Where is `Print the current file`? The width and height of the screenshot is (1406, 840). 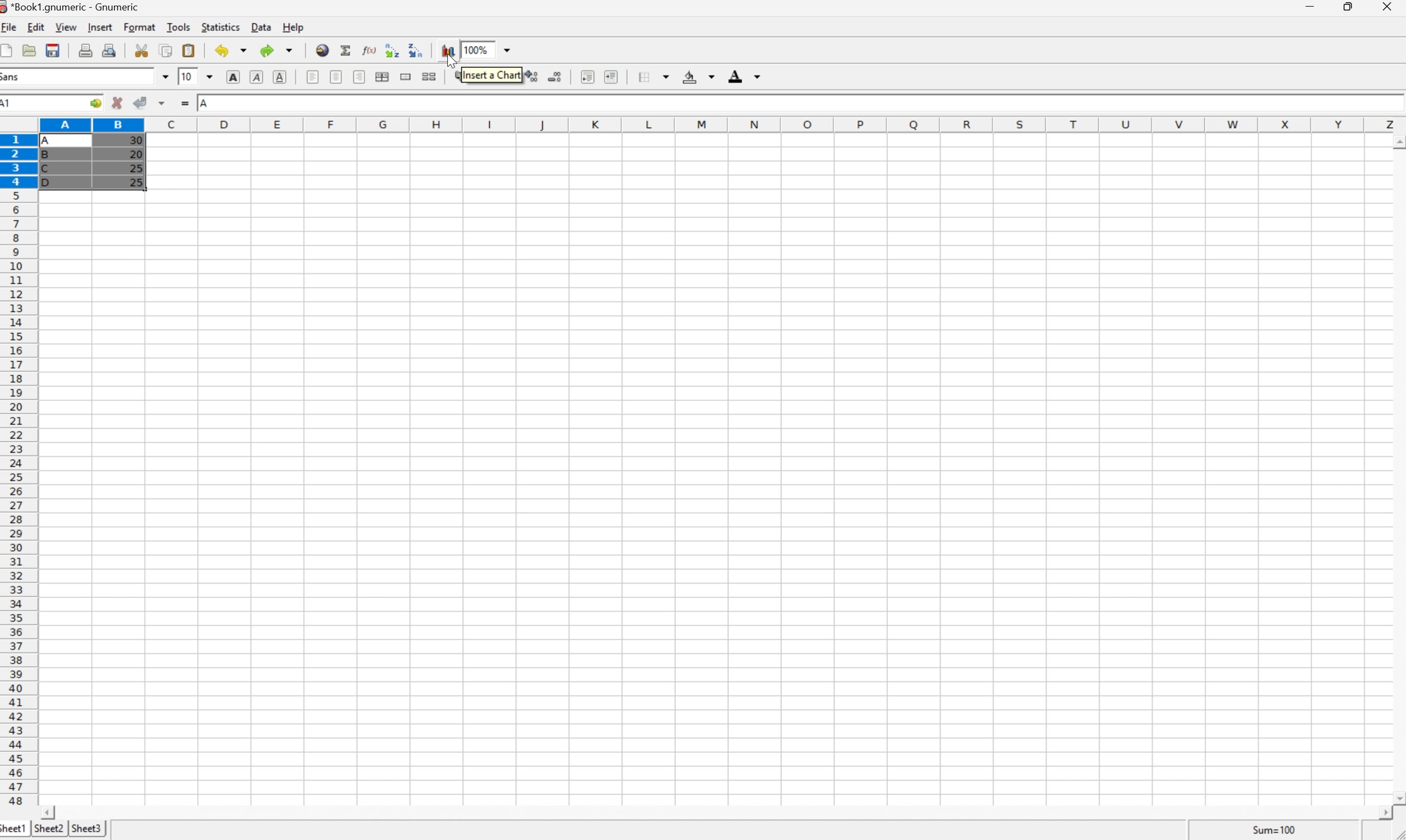
Print the current file is located at coordinates (86, 50).